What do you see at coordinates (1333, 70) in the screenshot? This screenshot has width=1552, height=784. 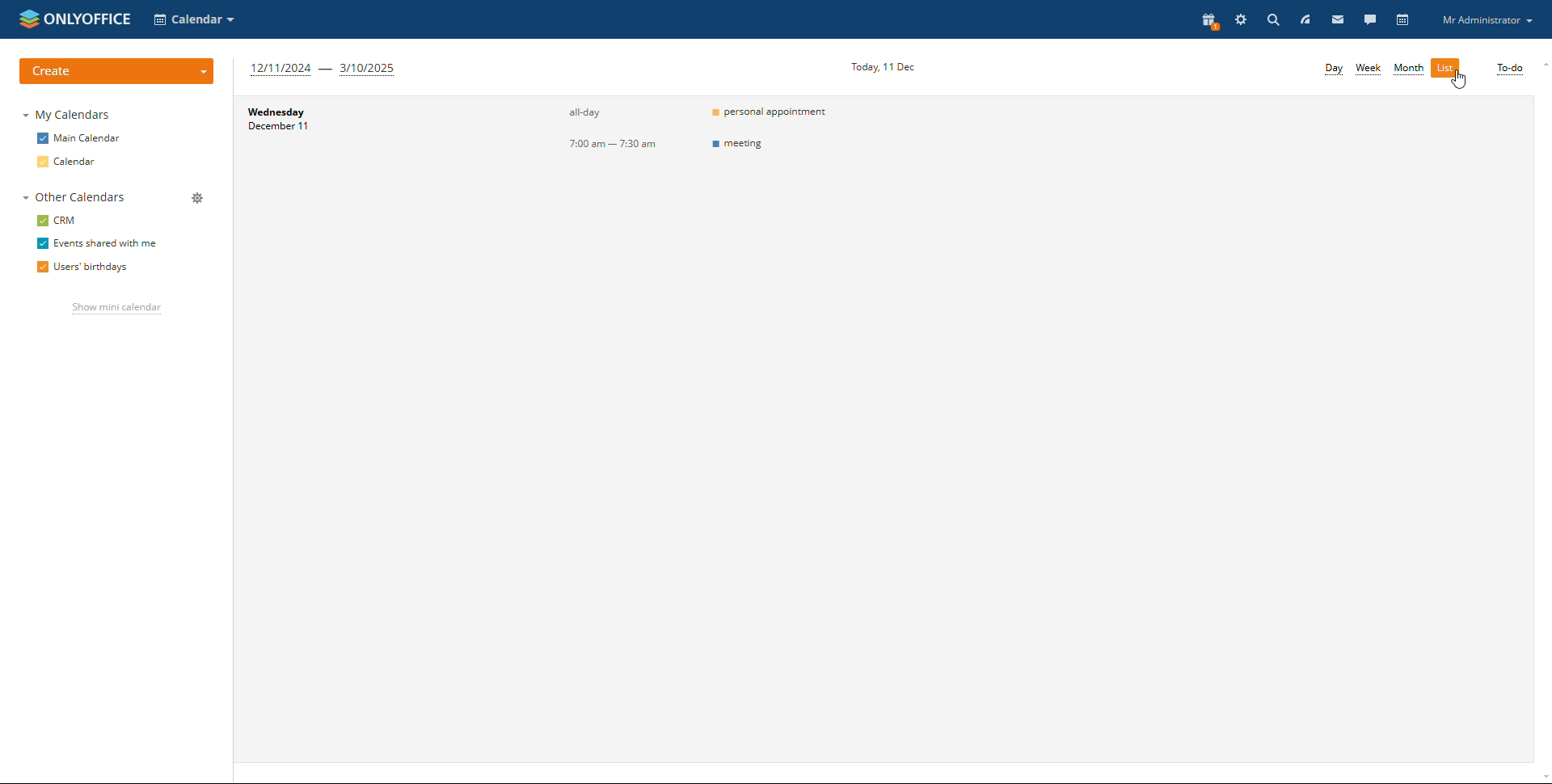 I see `day view` at bounding box center [1333, 70].